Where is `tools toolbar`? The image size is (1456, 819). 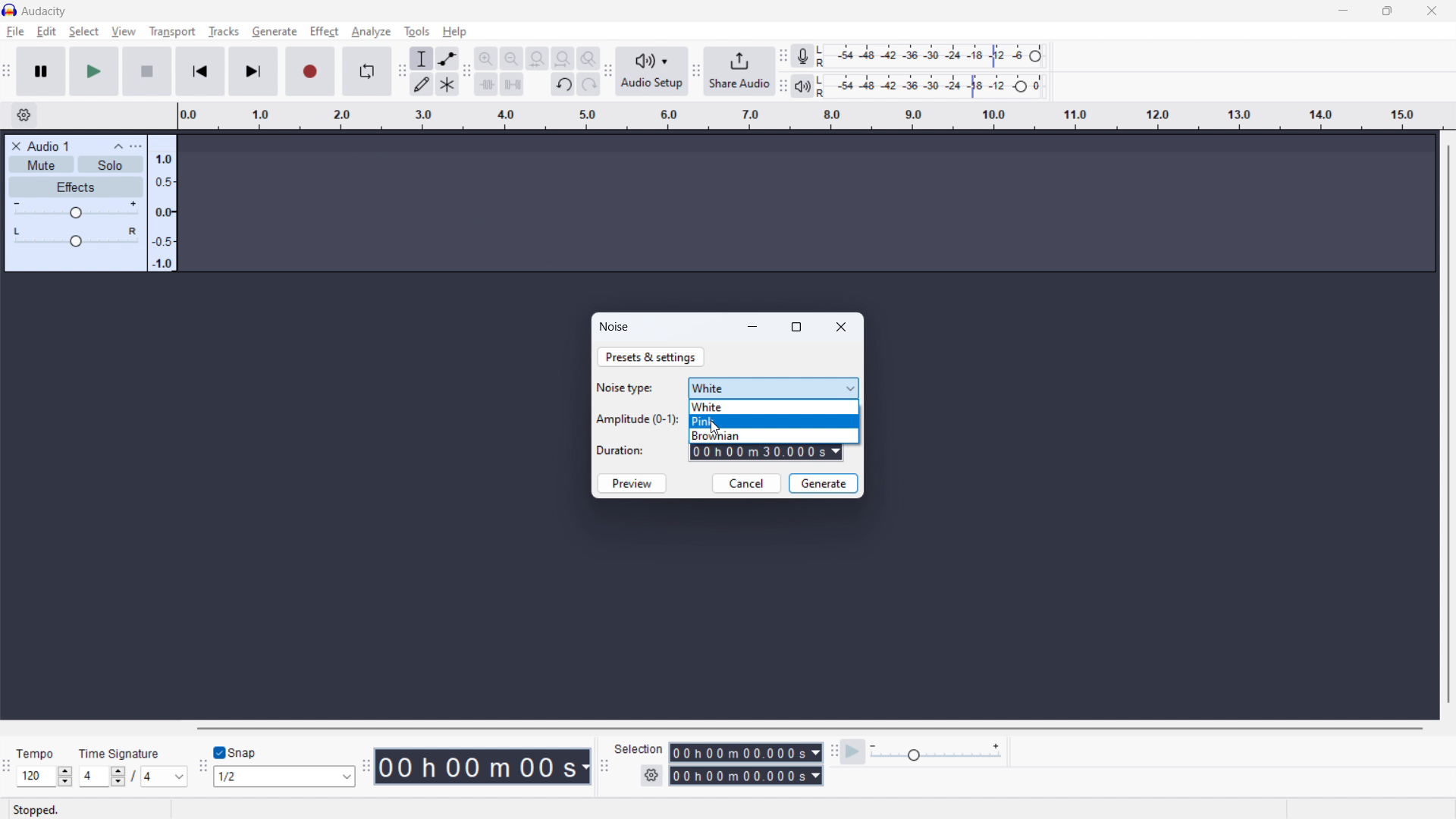 tools toolbar is located at coordinates (401, 71).